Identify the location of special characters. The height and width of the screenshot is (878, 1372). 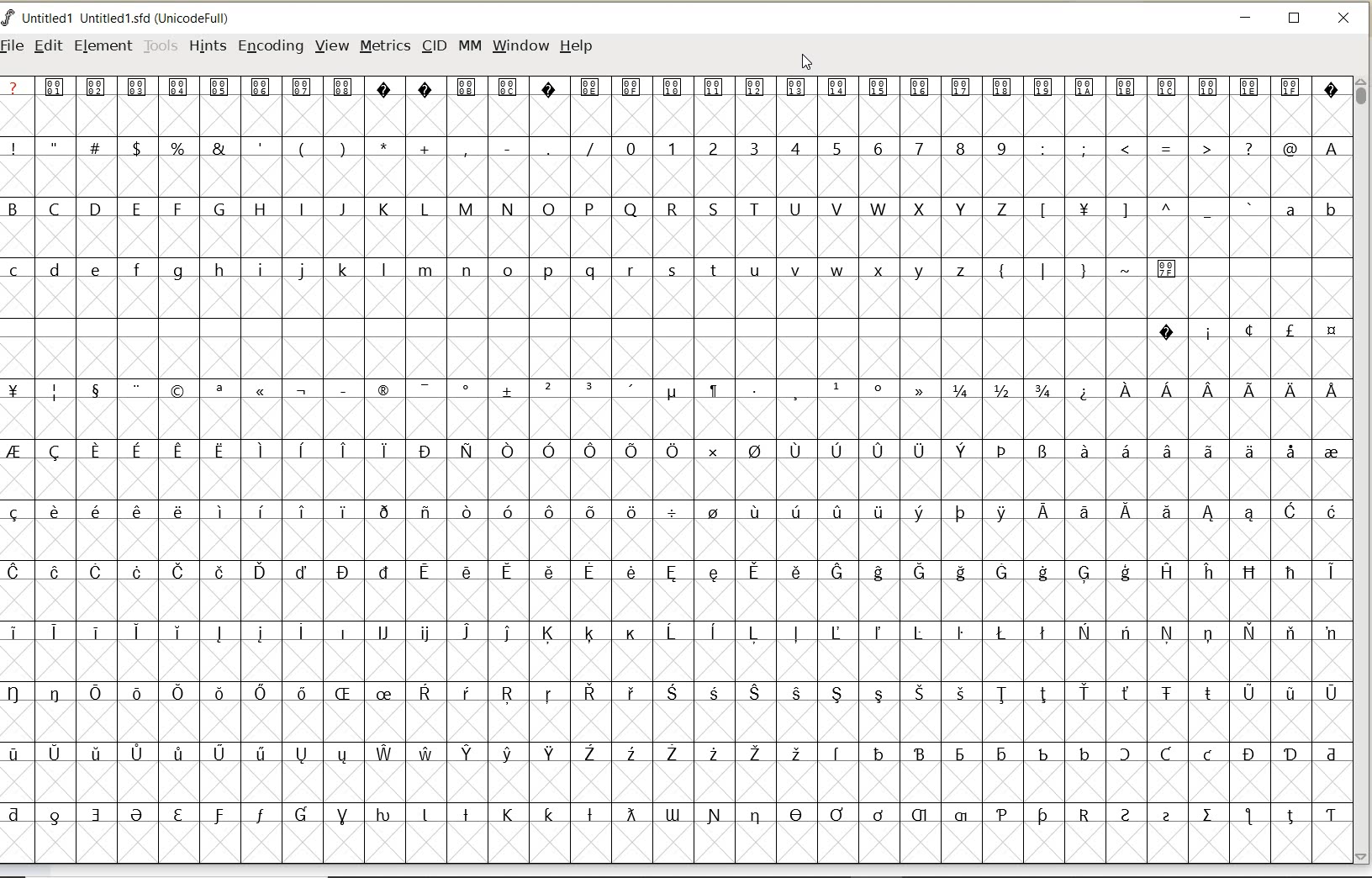
(1247, 331).